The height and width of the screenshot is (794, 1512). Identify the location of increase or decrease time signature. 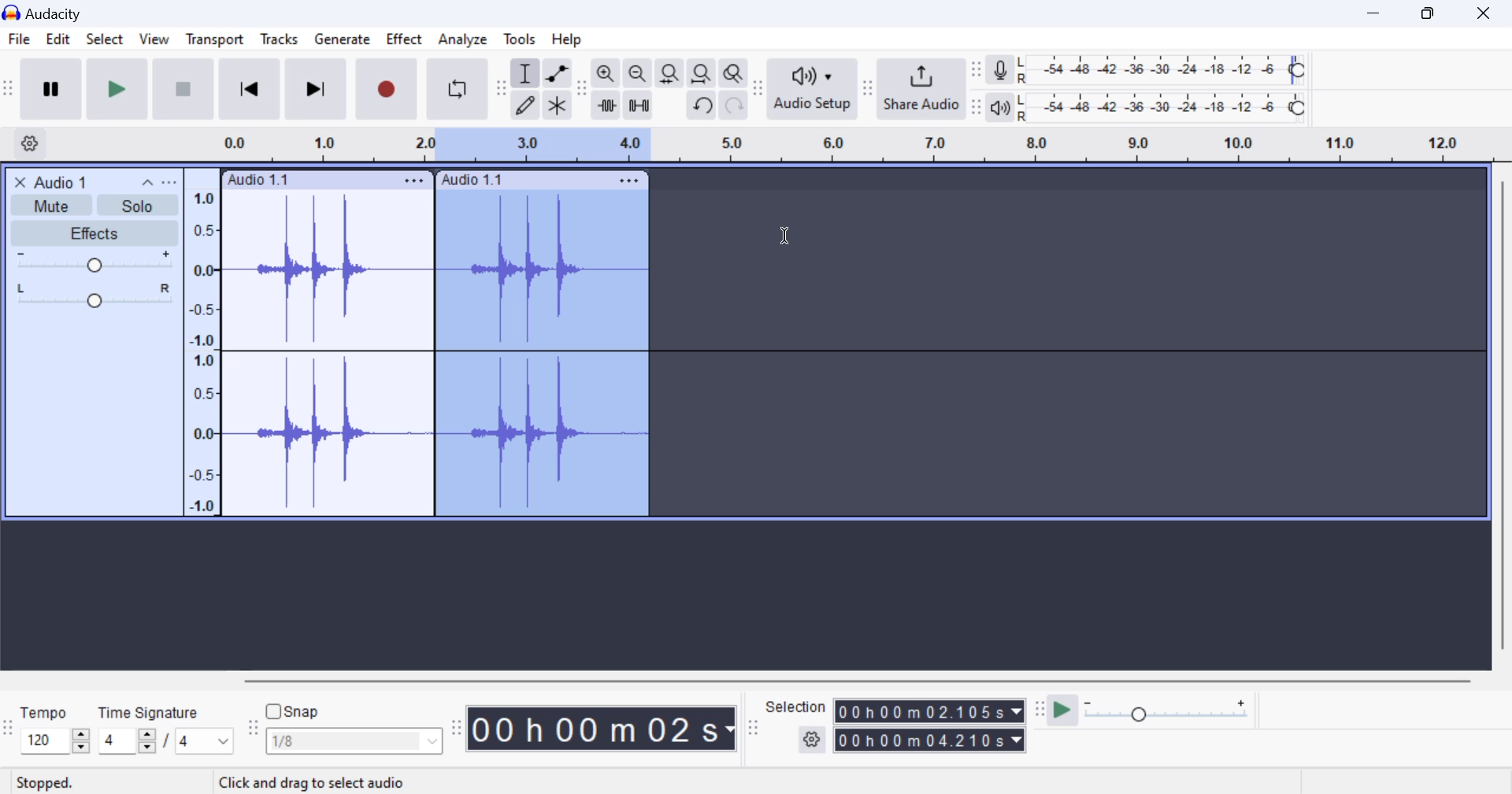
(127, 741).